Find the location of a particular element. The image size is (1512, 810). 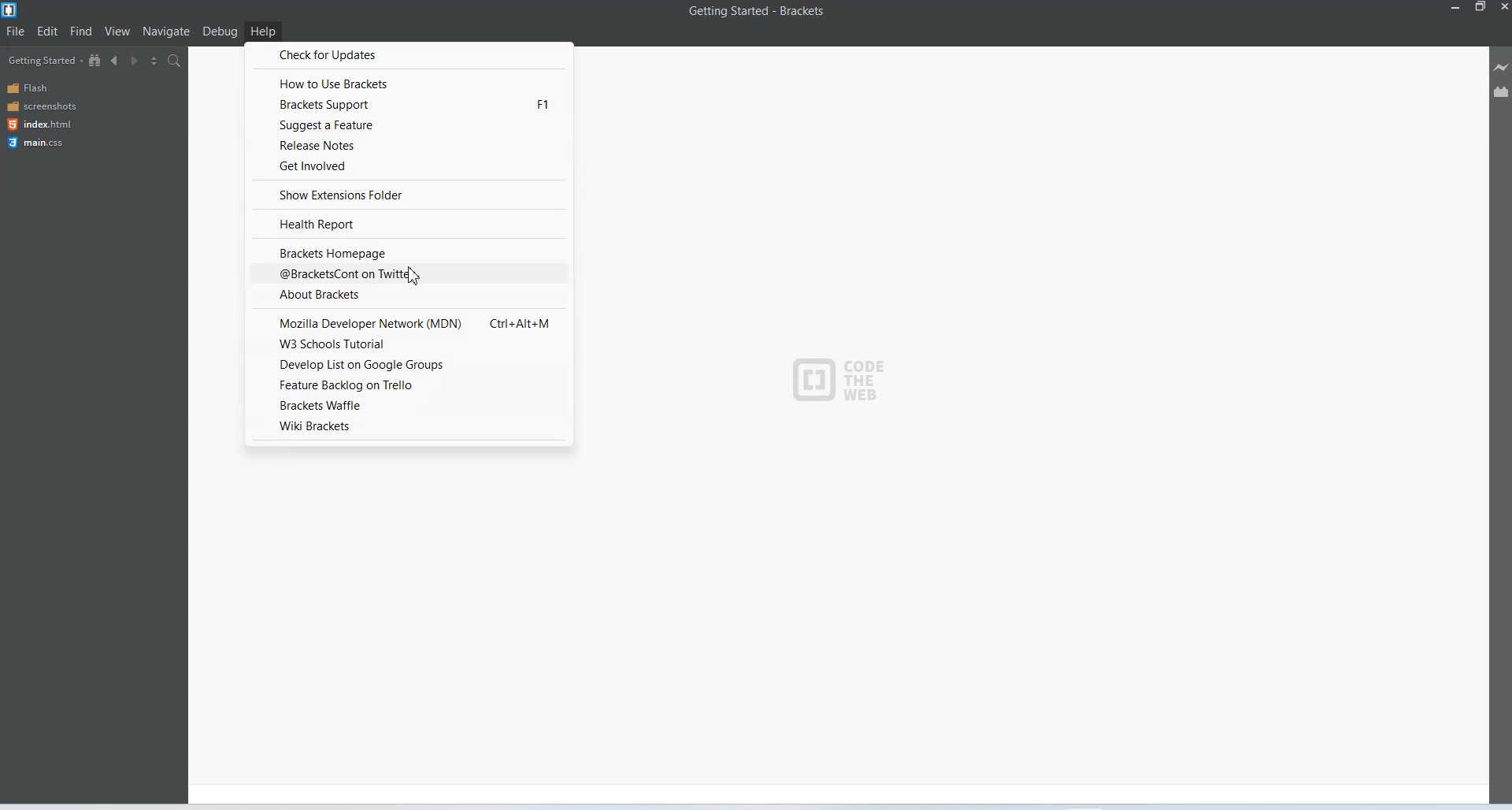

Wiki Brackets is located at coordinates (410, 427).